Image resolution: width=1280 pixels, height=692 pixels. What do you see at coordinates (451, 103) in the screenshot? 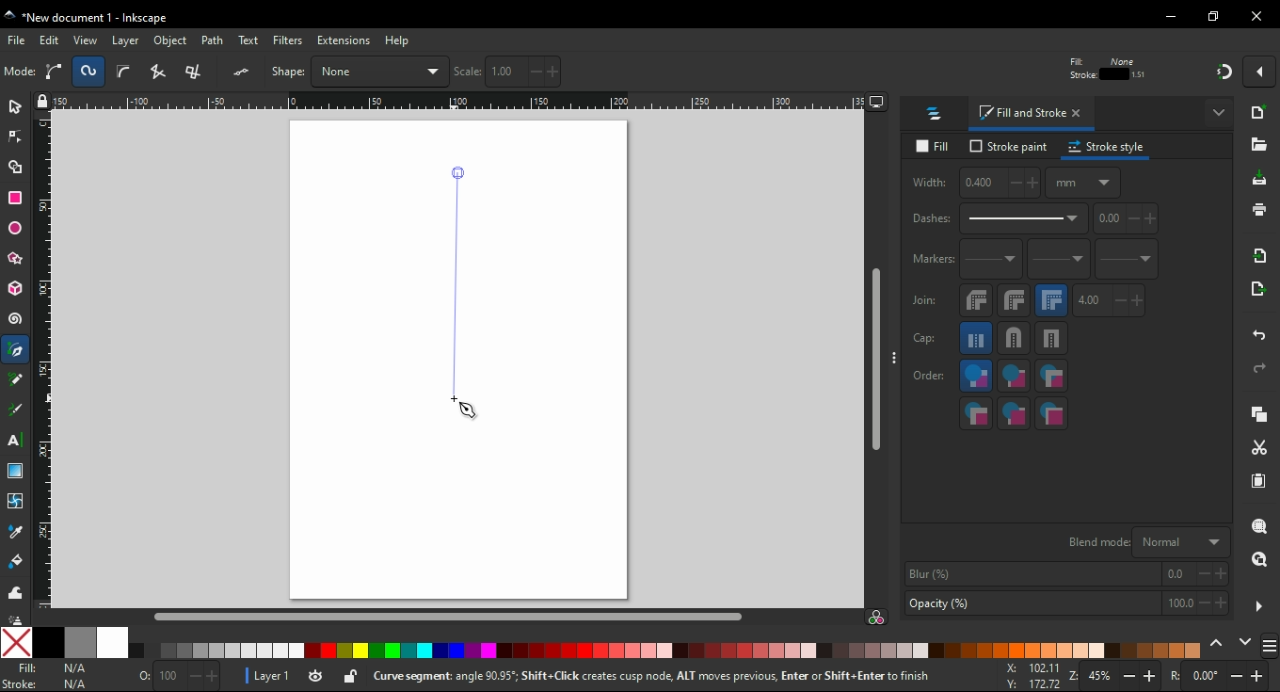
I see `Ruler` at bounding box center [451, 103].